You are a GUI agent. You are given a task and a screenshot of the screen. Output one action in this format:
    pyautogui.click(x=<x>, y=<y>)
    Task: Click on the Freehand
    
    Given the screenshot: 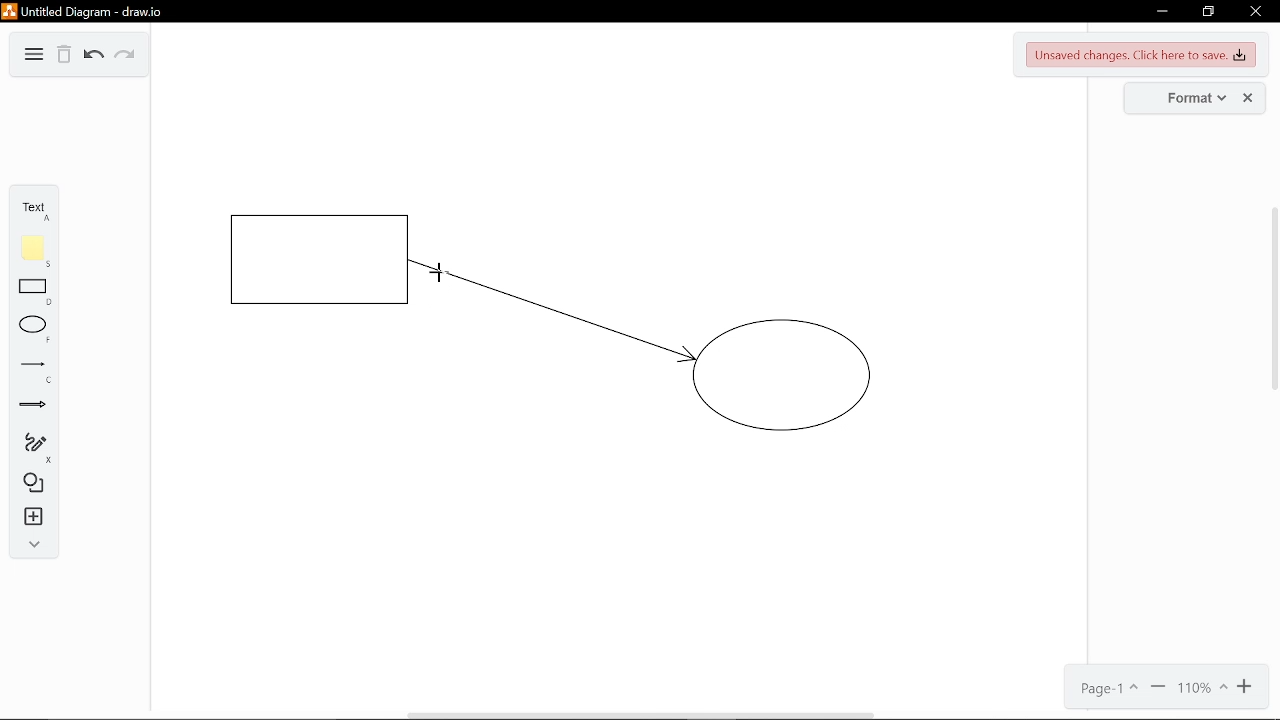 What is the action you would take?
    pyautogui.click(x=30, y=447)
    